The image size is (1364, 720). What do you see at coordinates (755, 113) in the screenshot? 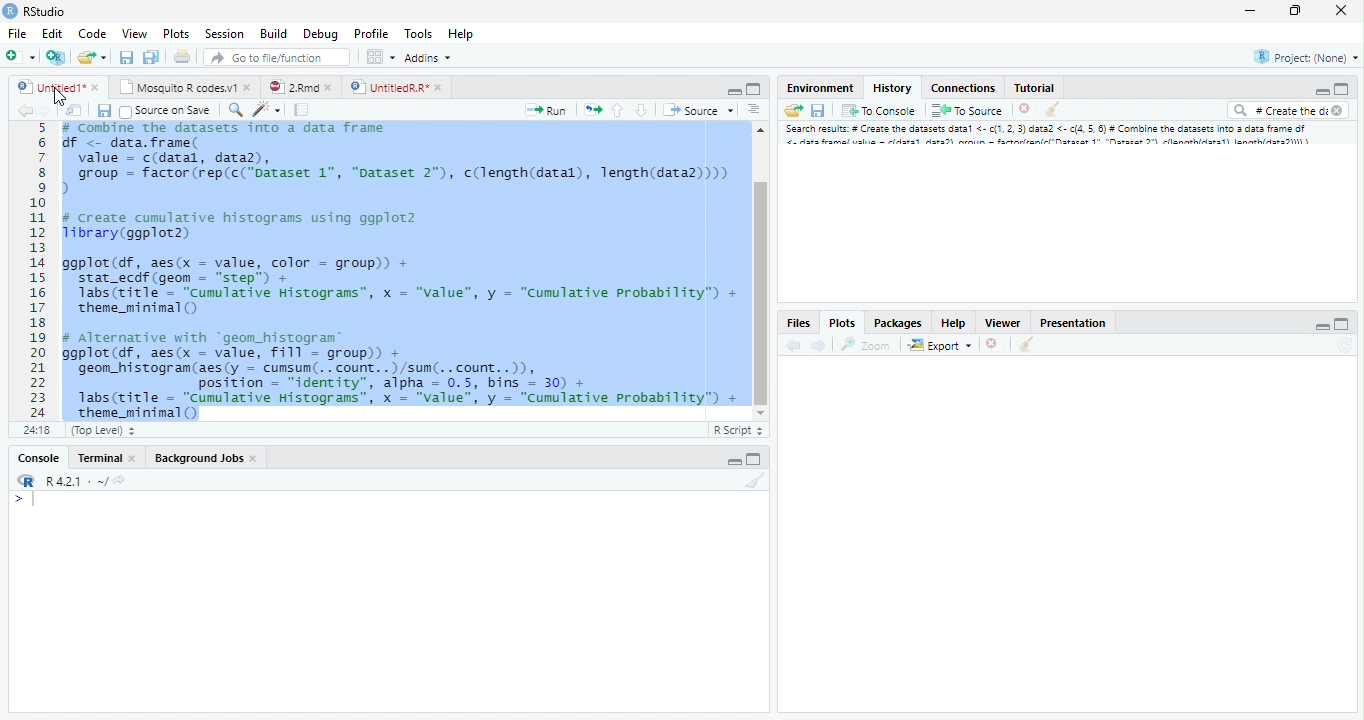
I see `Alignment` at bounding box center [755, 113].